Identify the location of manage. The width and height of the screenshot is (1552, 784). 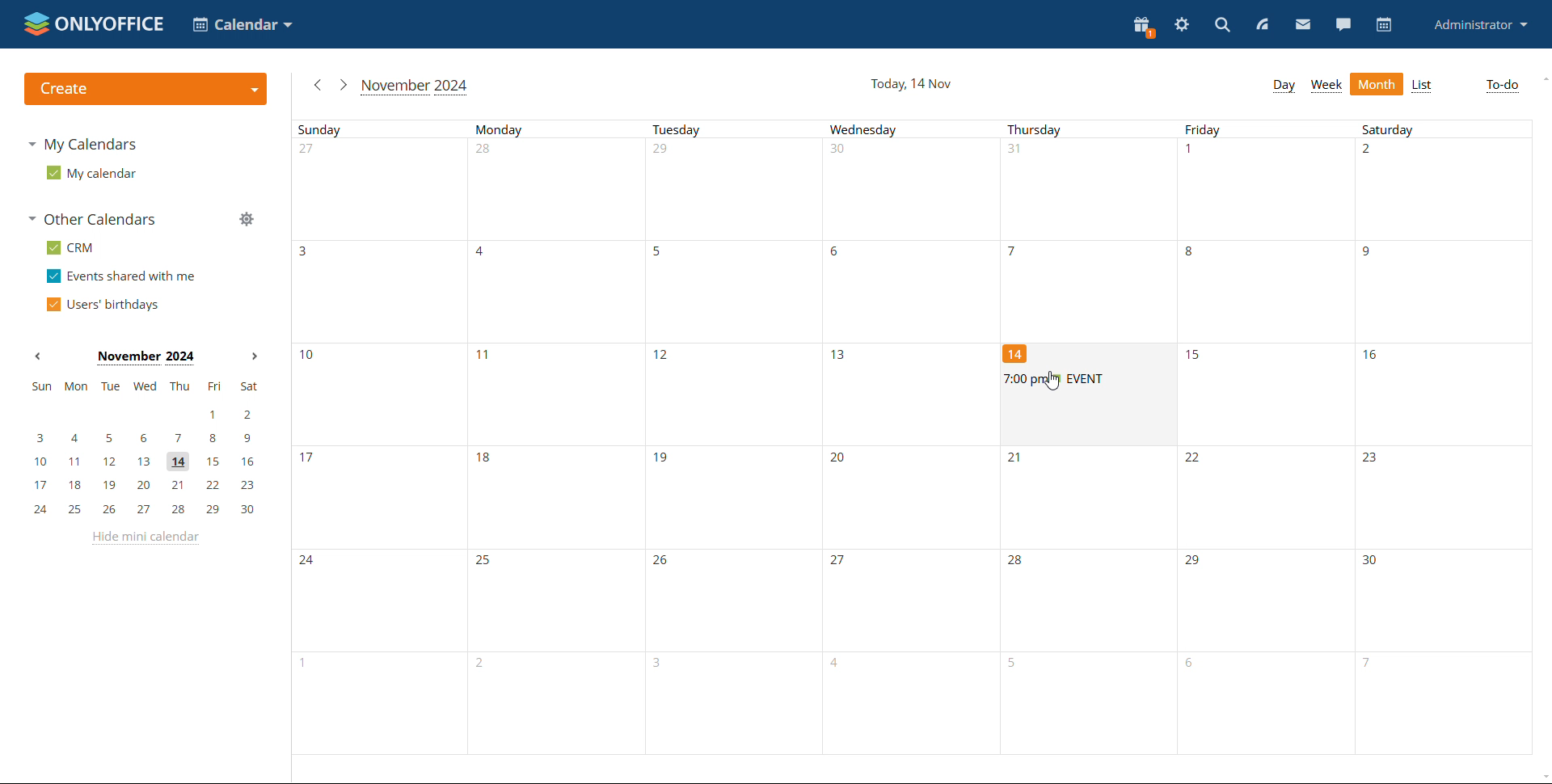
(246, 218).